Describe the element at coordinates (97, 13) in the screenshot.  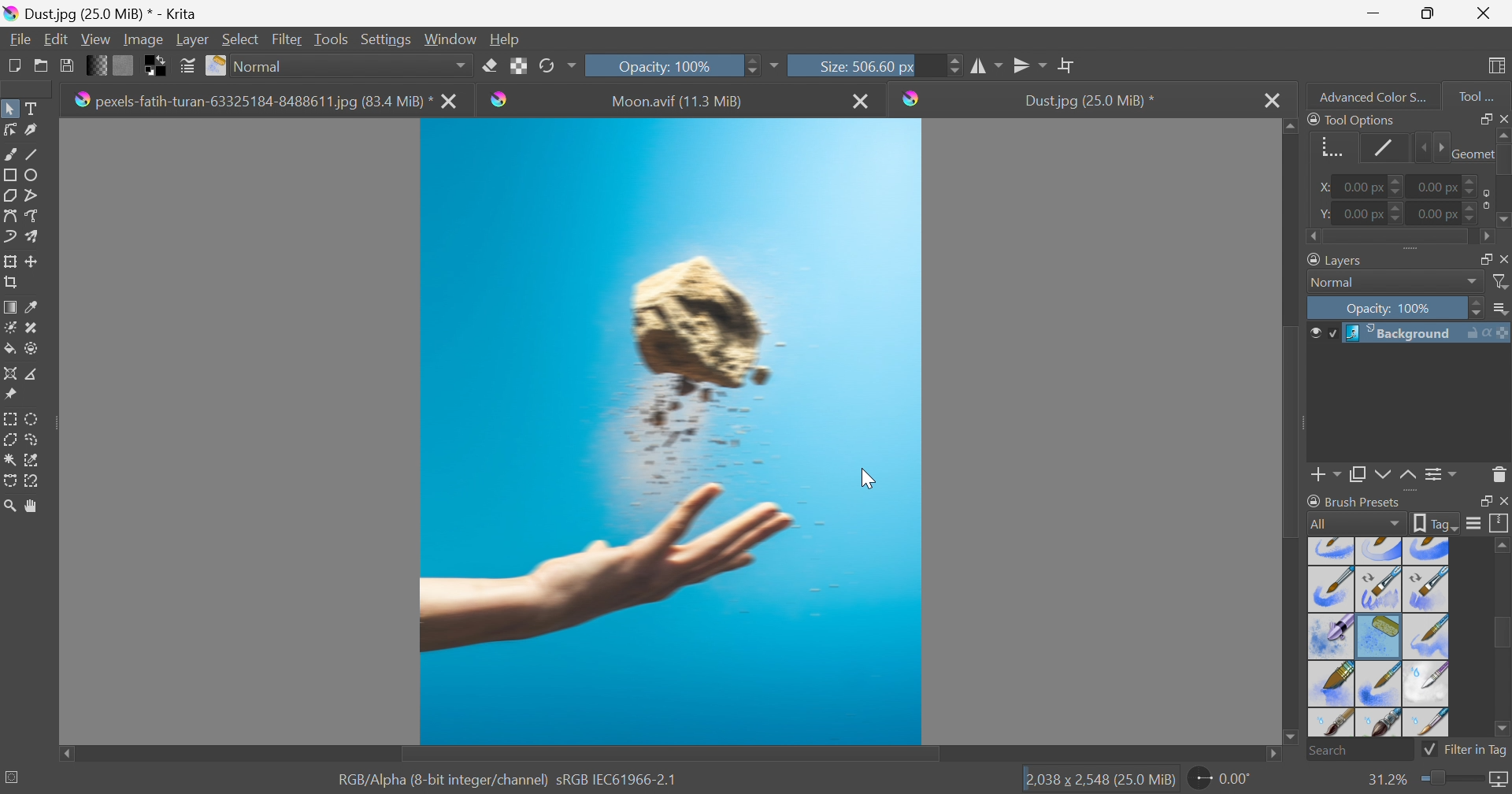
I see `Dust.jpg (25.0 MB)` at that location.